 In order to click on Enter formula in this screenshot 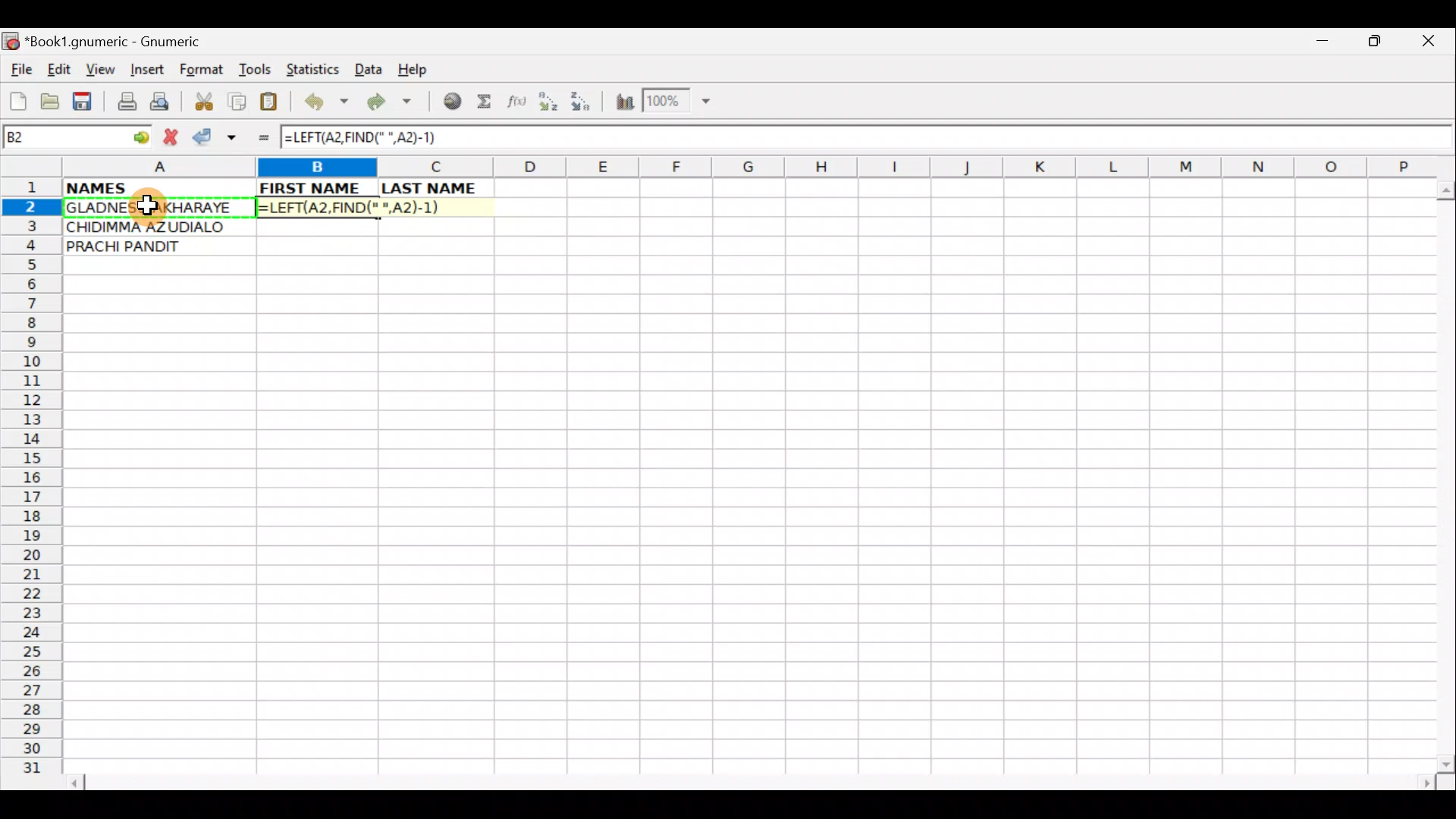, I will do `click(256, 137)`.